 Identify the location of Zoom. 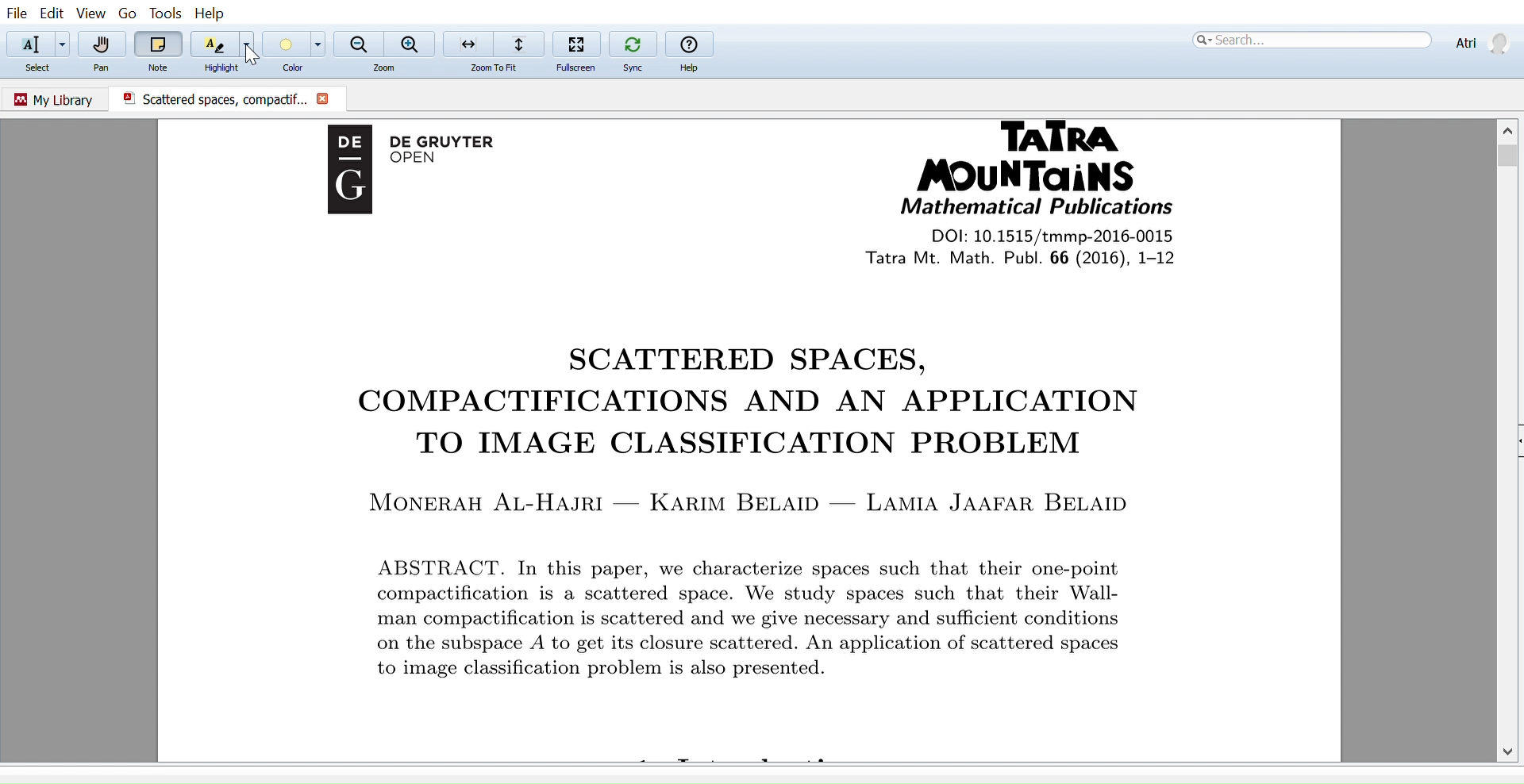
(388, 68).